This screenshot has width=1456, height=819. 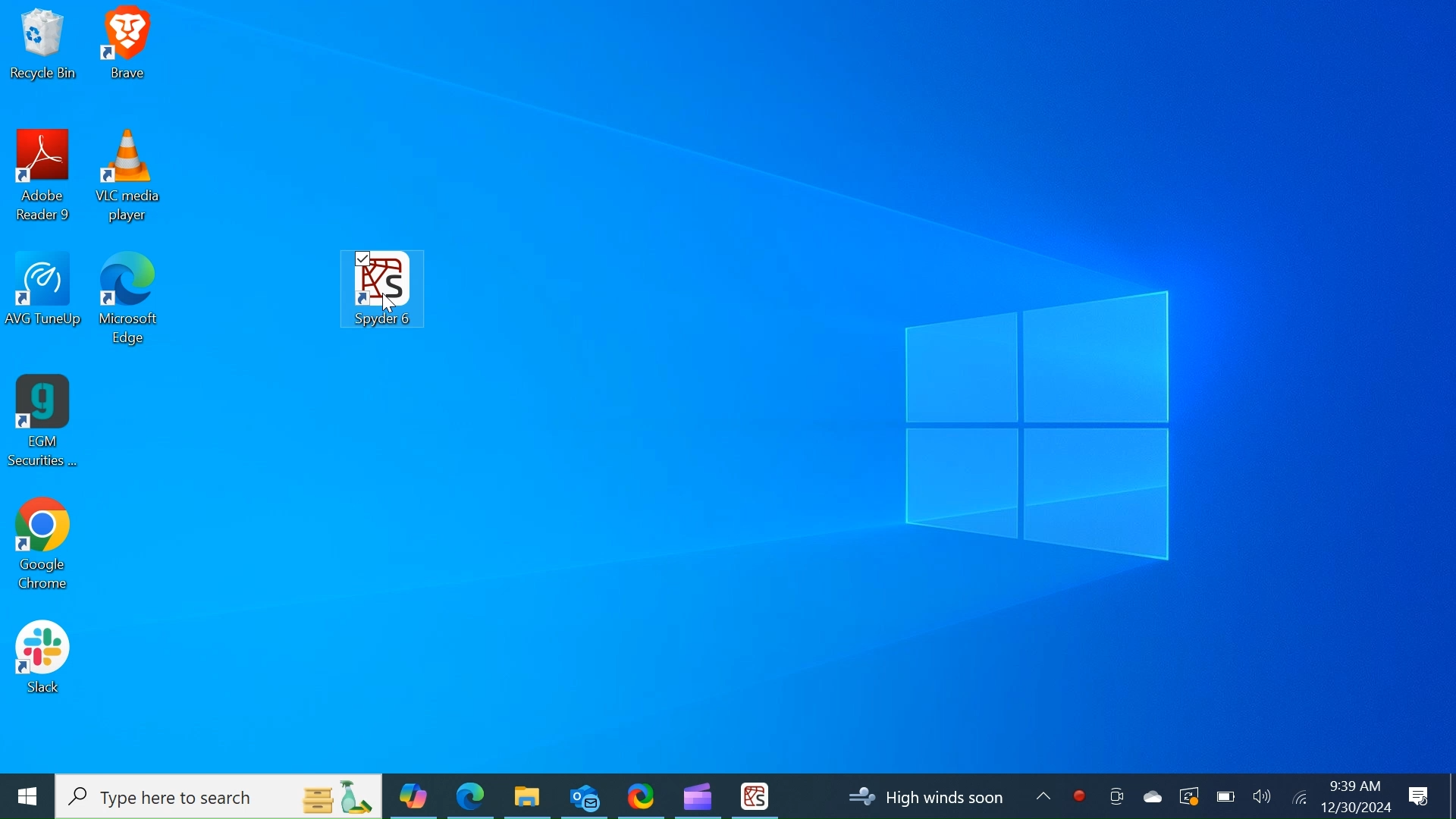 I want to click on Spyder Desktop Icon, so click(x=755, y=796).